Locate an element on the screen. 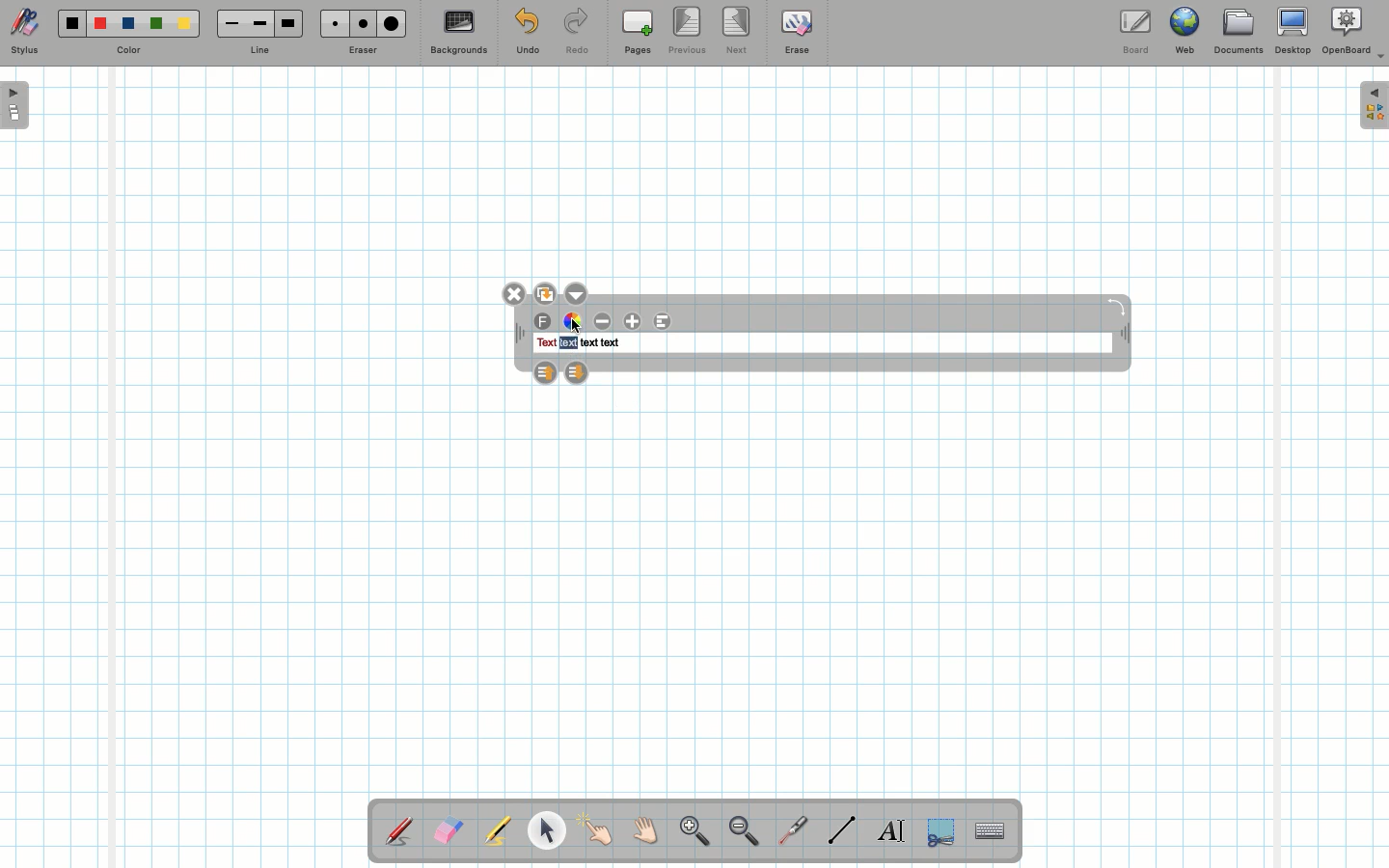 The width and height of the screenshot is (1389, 868). Move is located at coordinates (520, 336).